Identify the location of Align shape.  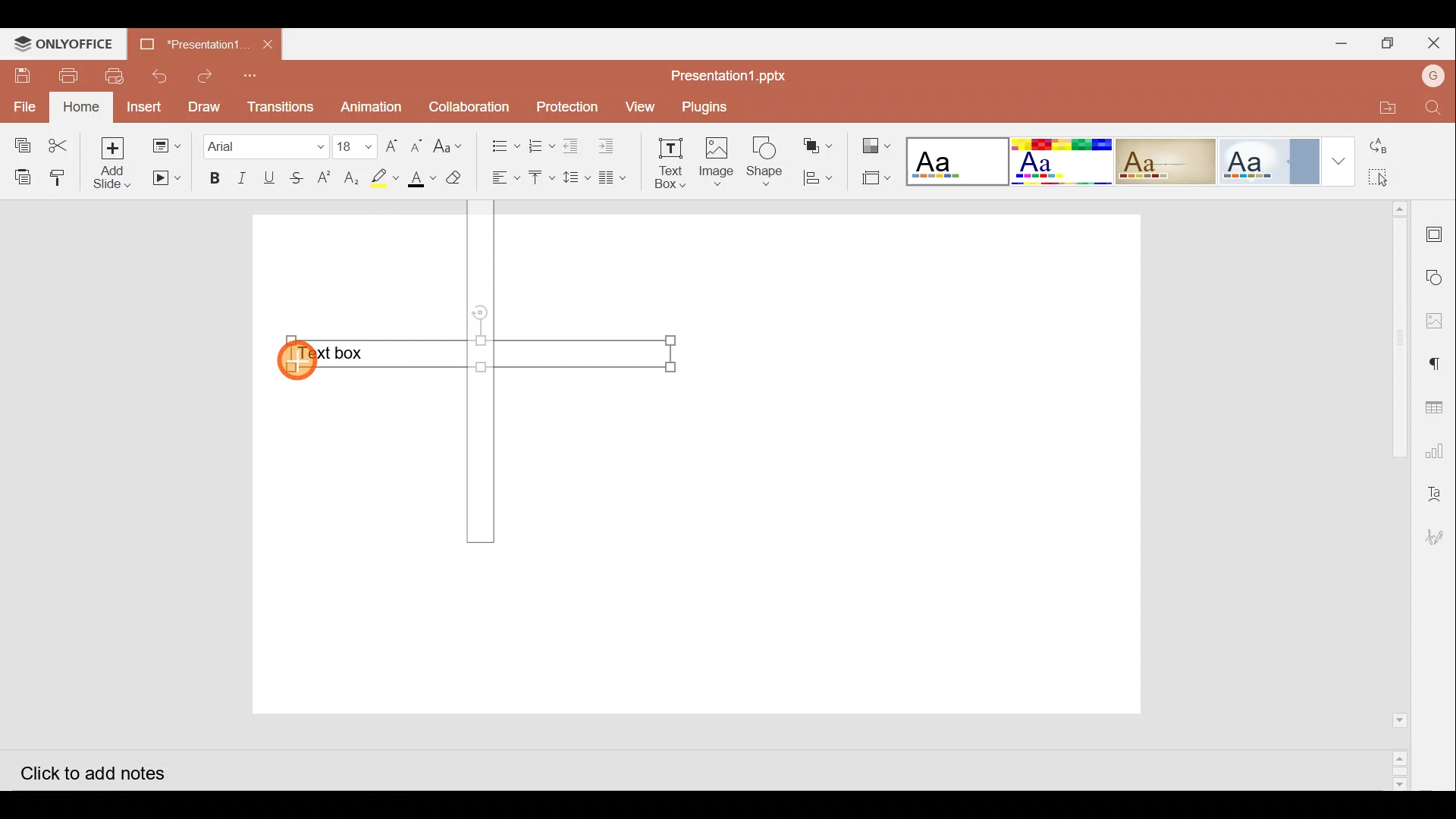
(817, 176).